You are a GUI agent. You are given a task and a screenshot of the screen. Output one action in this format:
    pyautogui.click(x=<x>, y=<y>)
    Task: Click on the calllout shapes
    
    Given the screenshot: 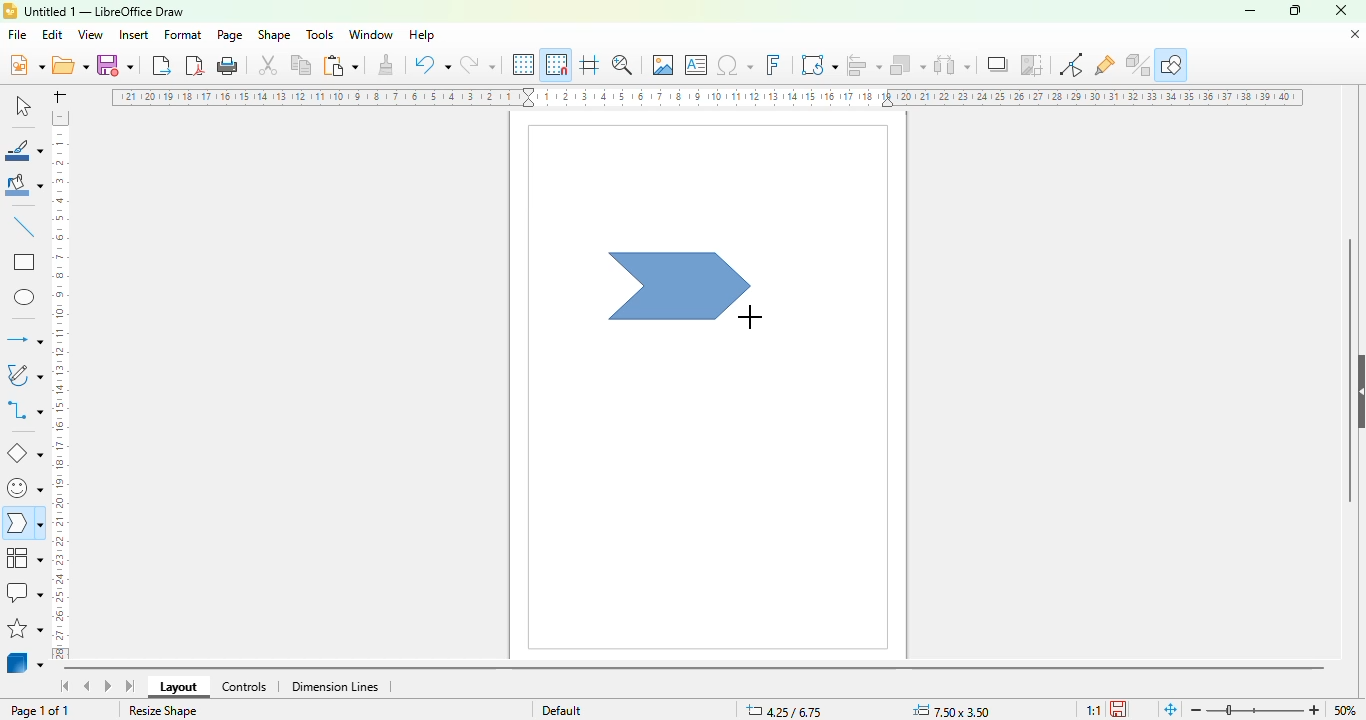 What is the action you would take?
    pyautogui.click(x=24, y=592)
    